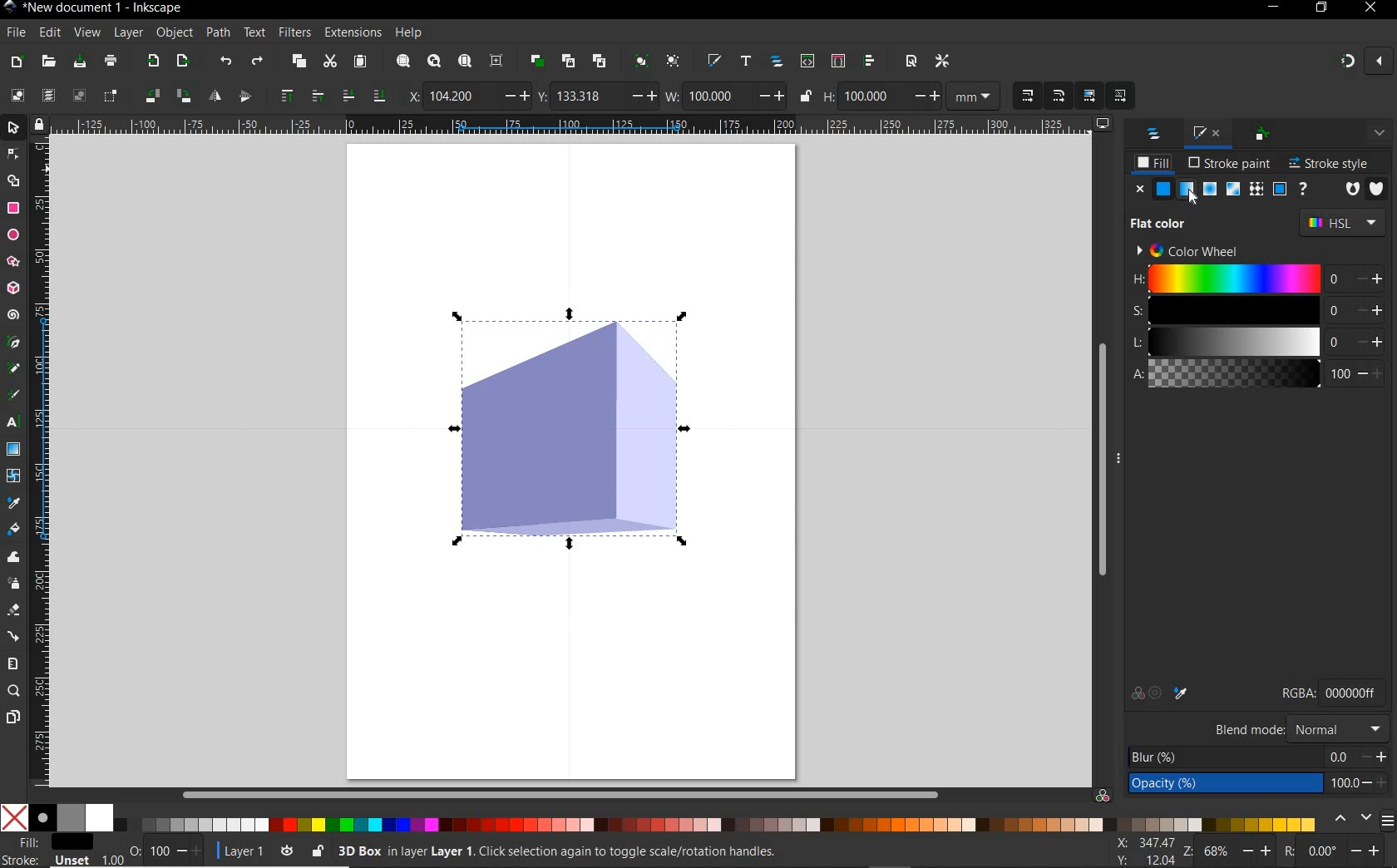  Describe the element at coordinates (778, 63) in the screenshot. I see `OPEN OBJECTS` at that location.